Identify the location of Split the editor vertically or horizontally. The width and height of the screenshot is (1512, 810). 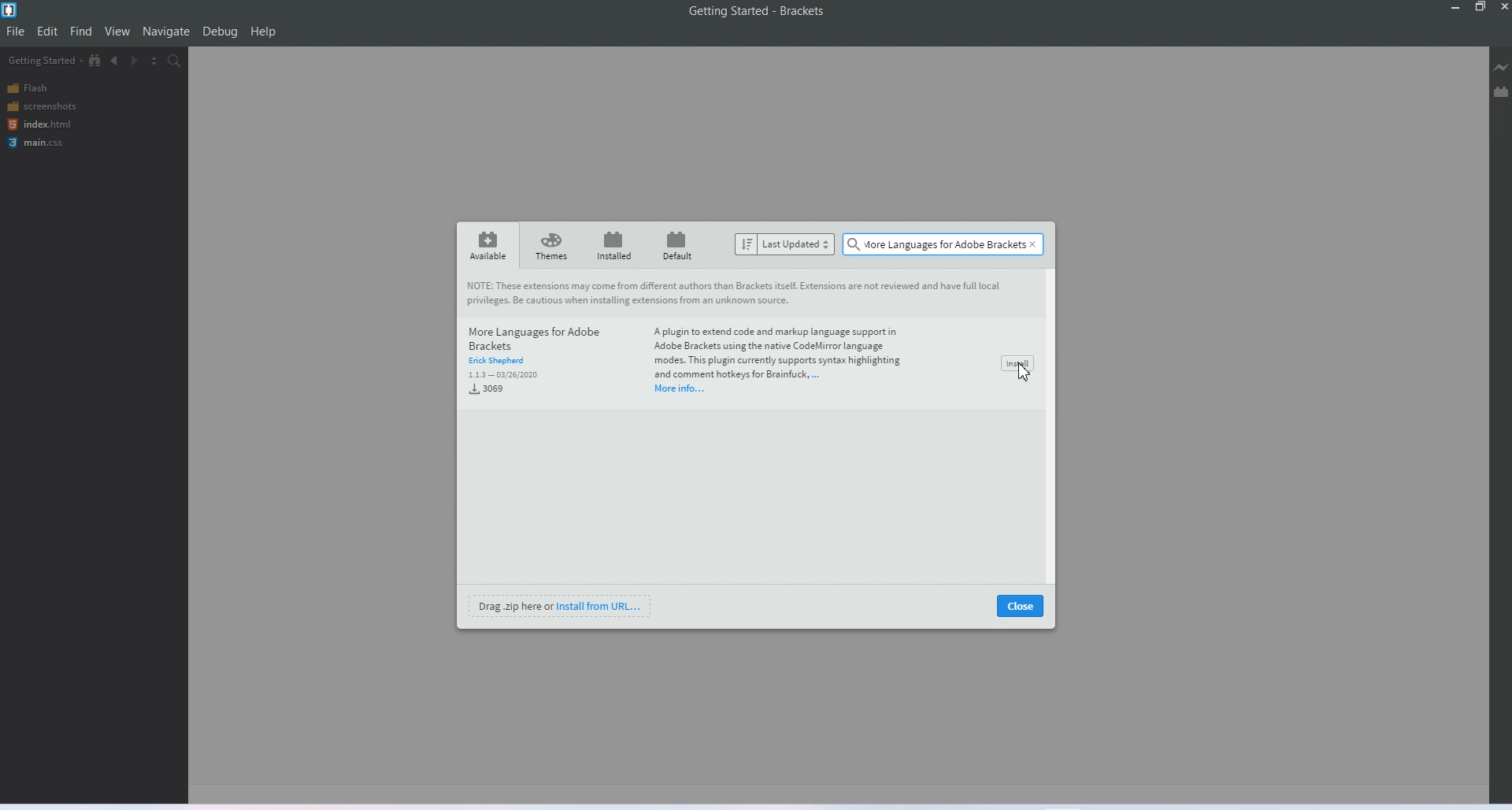
(154, 61).